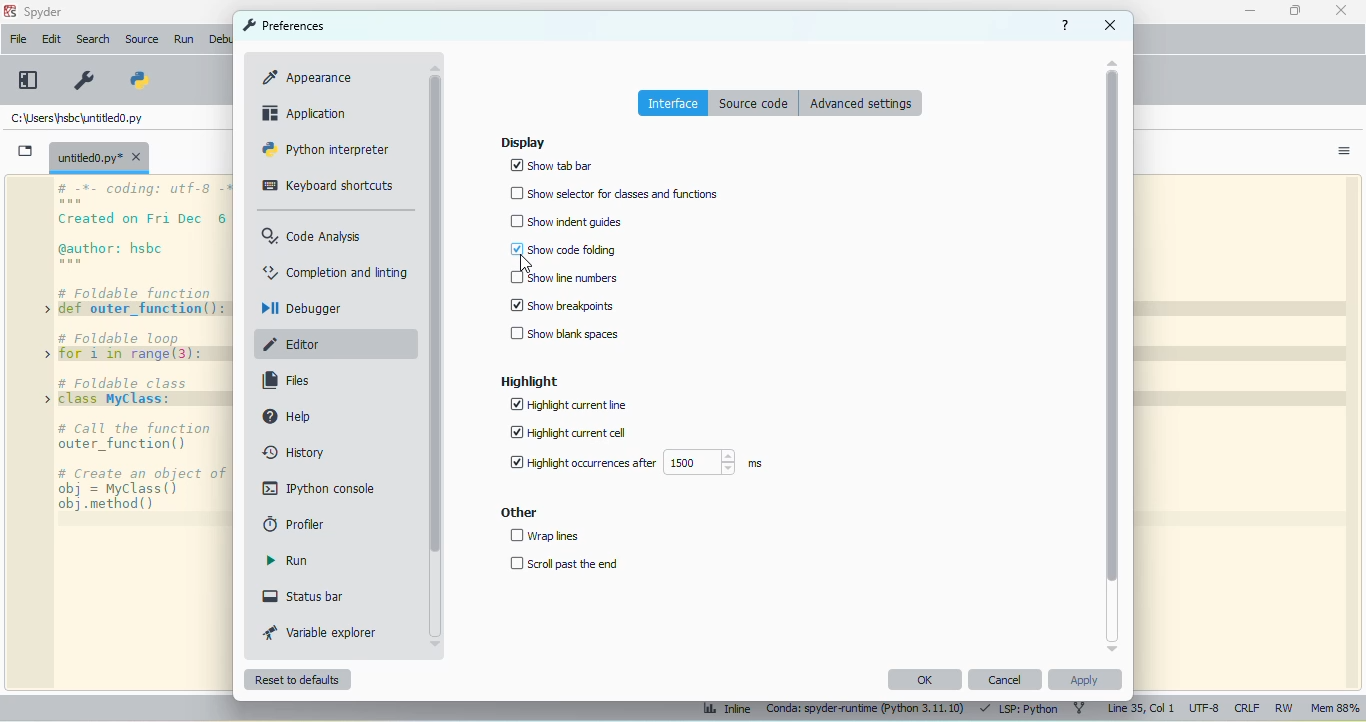 The image size is (1366, 722). Describe the element at coordinates (309, 76) in the screenshot. I see `appearance` at that location.